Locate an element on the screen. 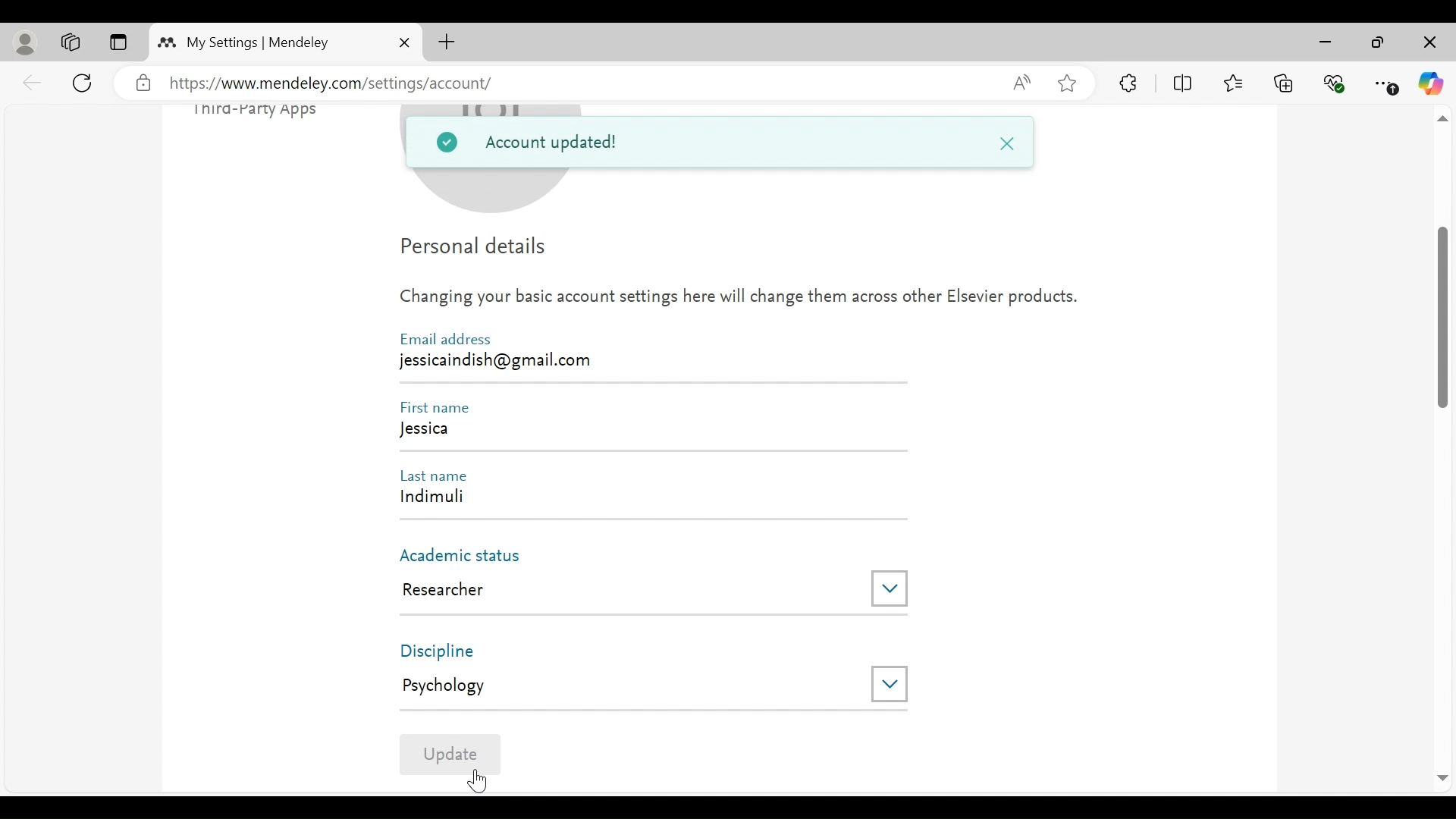 The image size is (1456, 819). Settings and More is located at coordinates (1387, 84).